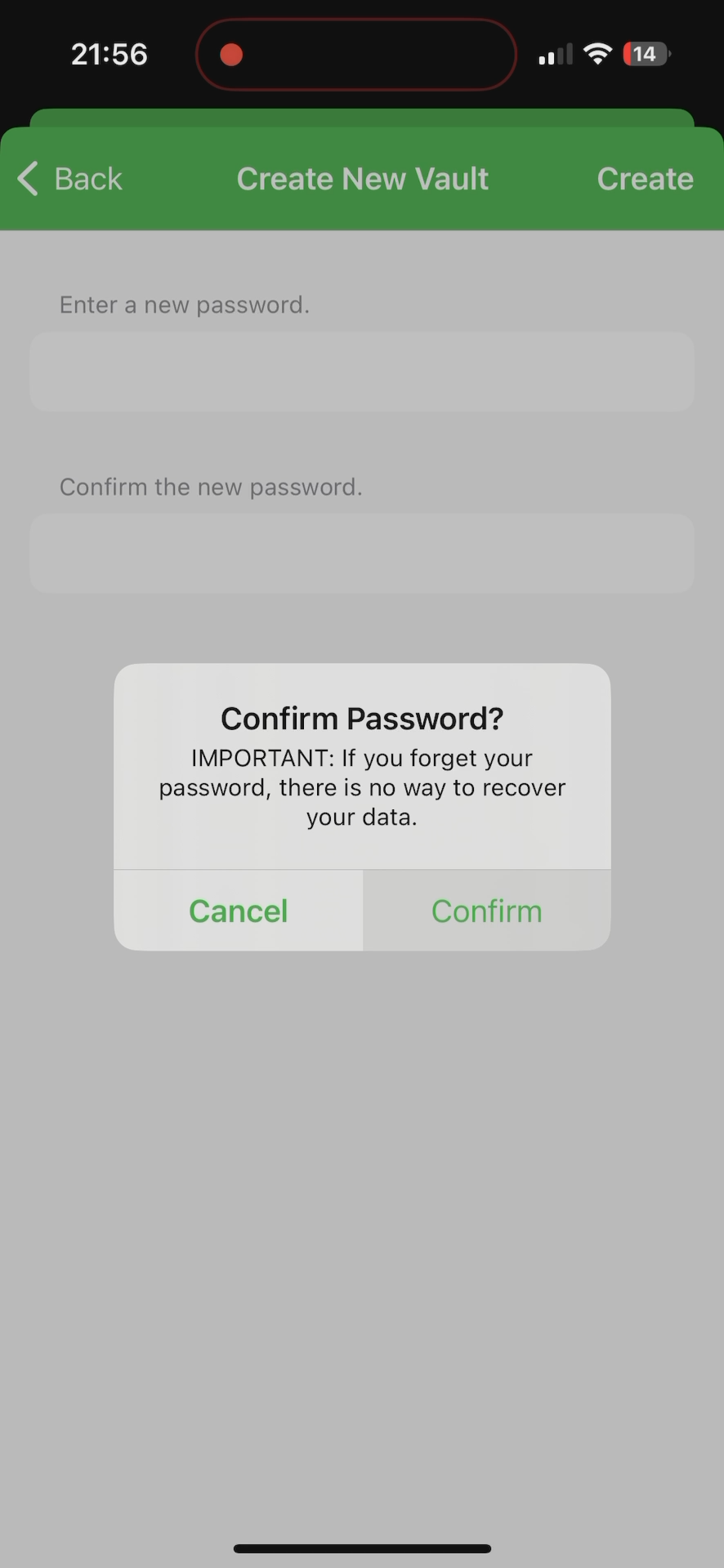 This screenshot has height=1568, width=724. What do you see at coordinates (364, 747) in the screenshot?
I see `confirm password pop-up` at bounding box center [364, 747].